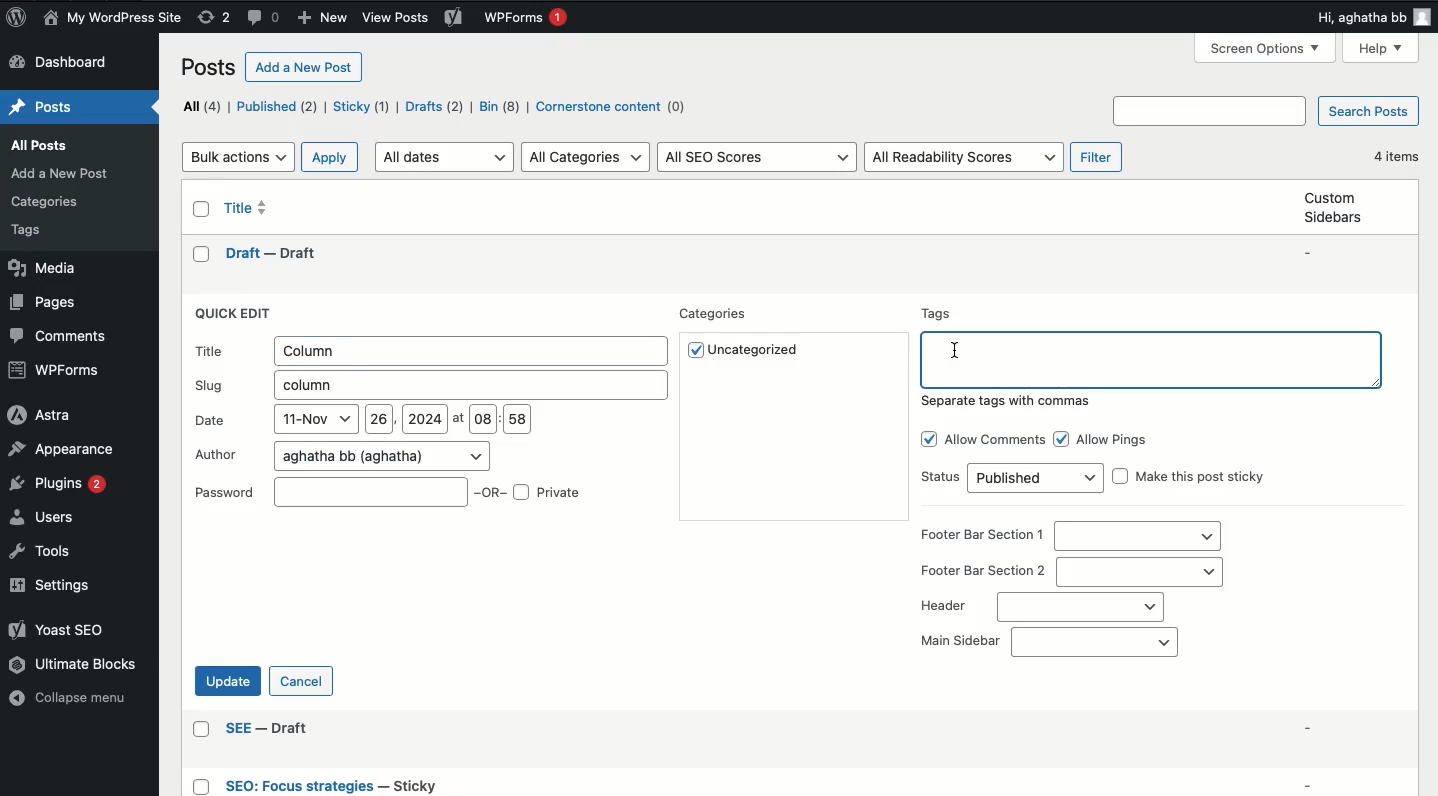 This screenshot has height=796, width=1438. I want to click on Posts, so click(206, 70).